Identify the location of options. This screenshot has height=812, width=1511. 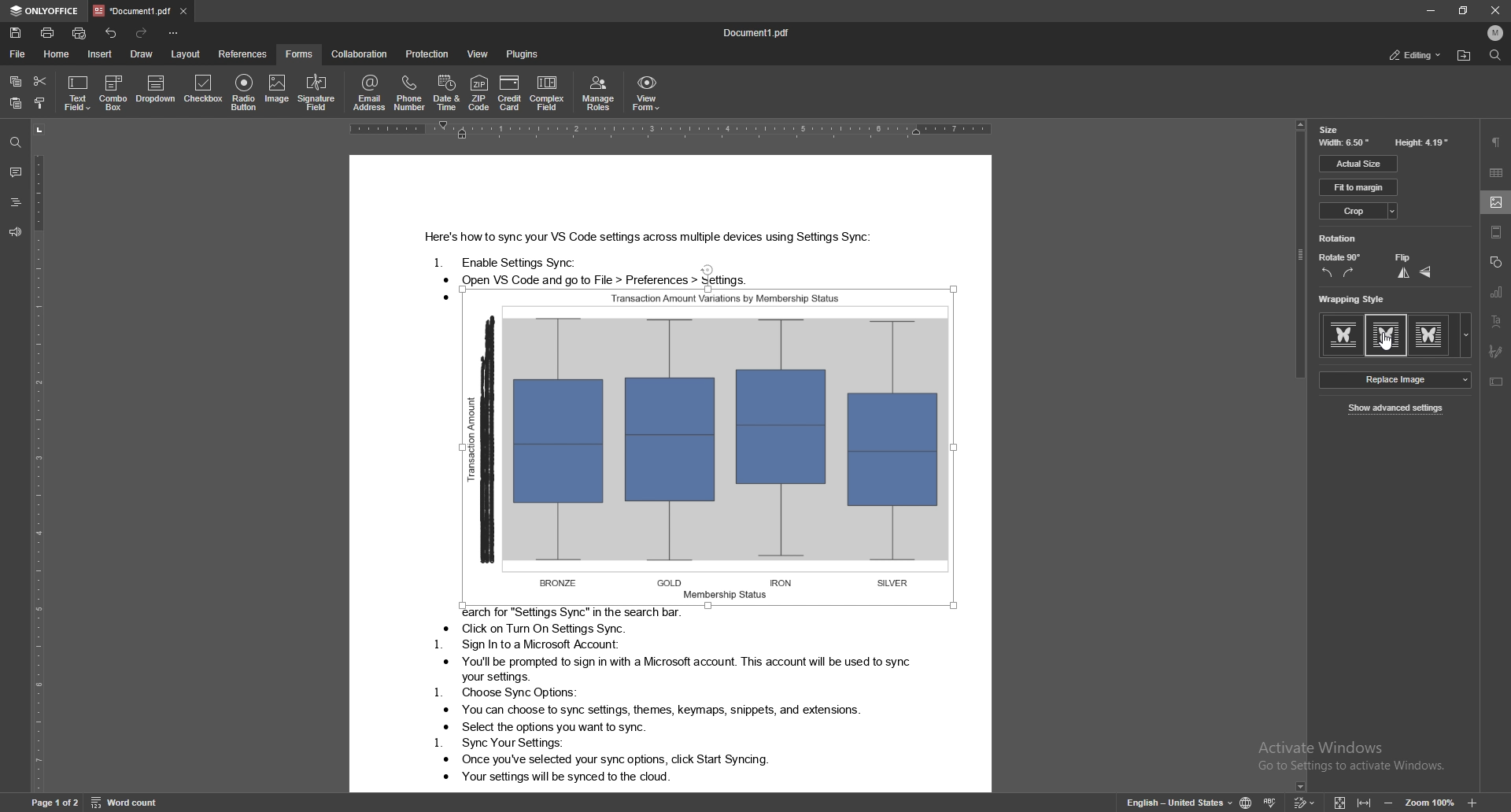
(173, 32).